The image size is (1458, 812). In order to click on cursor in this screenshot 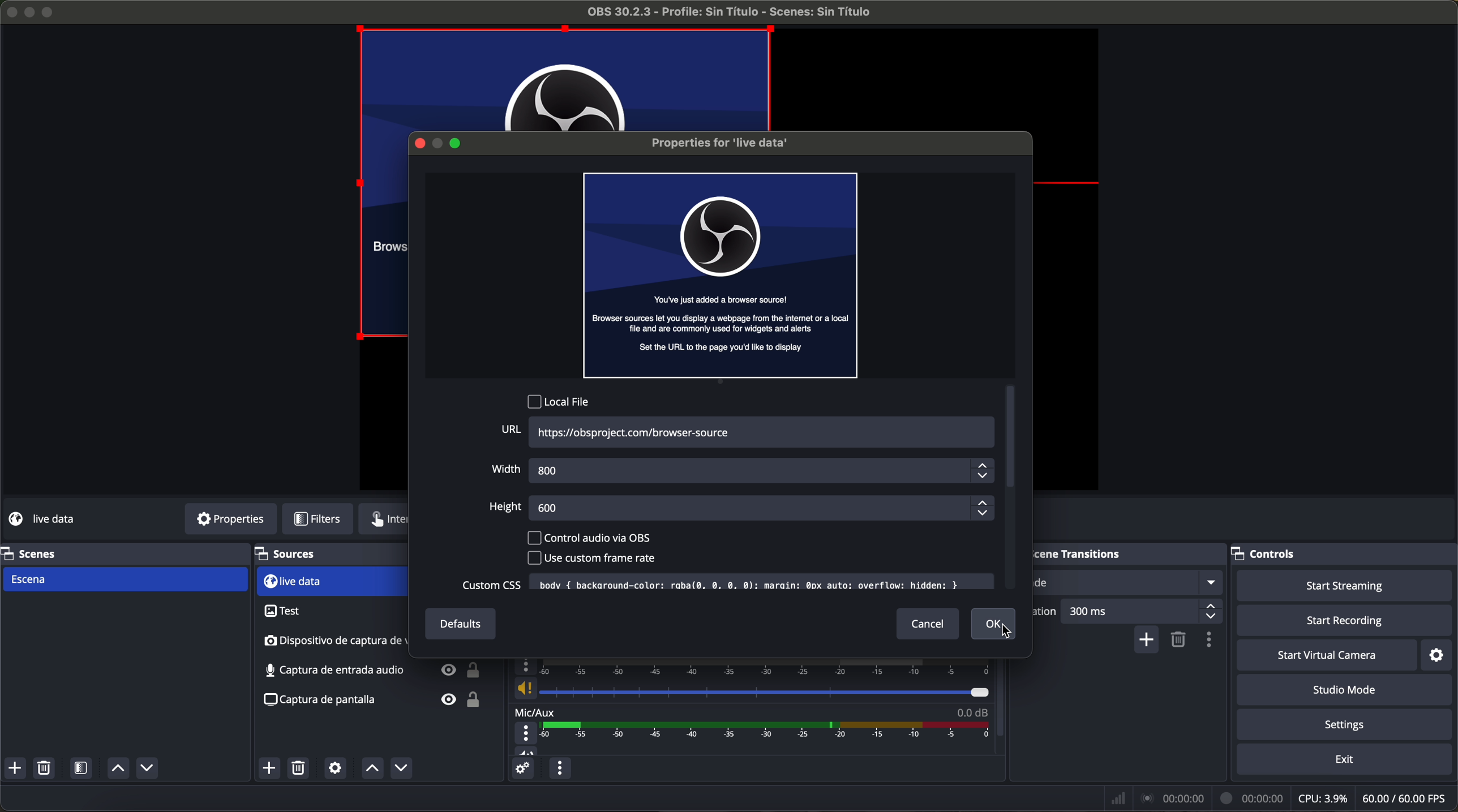, I will do `click(1007, 633)`.